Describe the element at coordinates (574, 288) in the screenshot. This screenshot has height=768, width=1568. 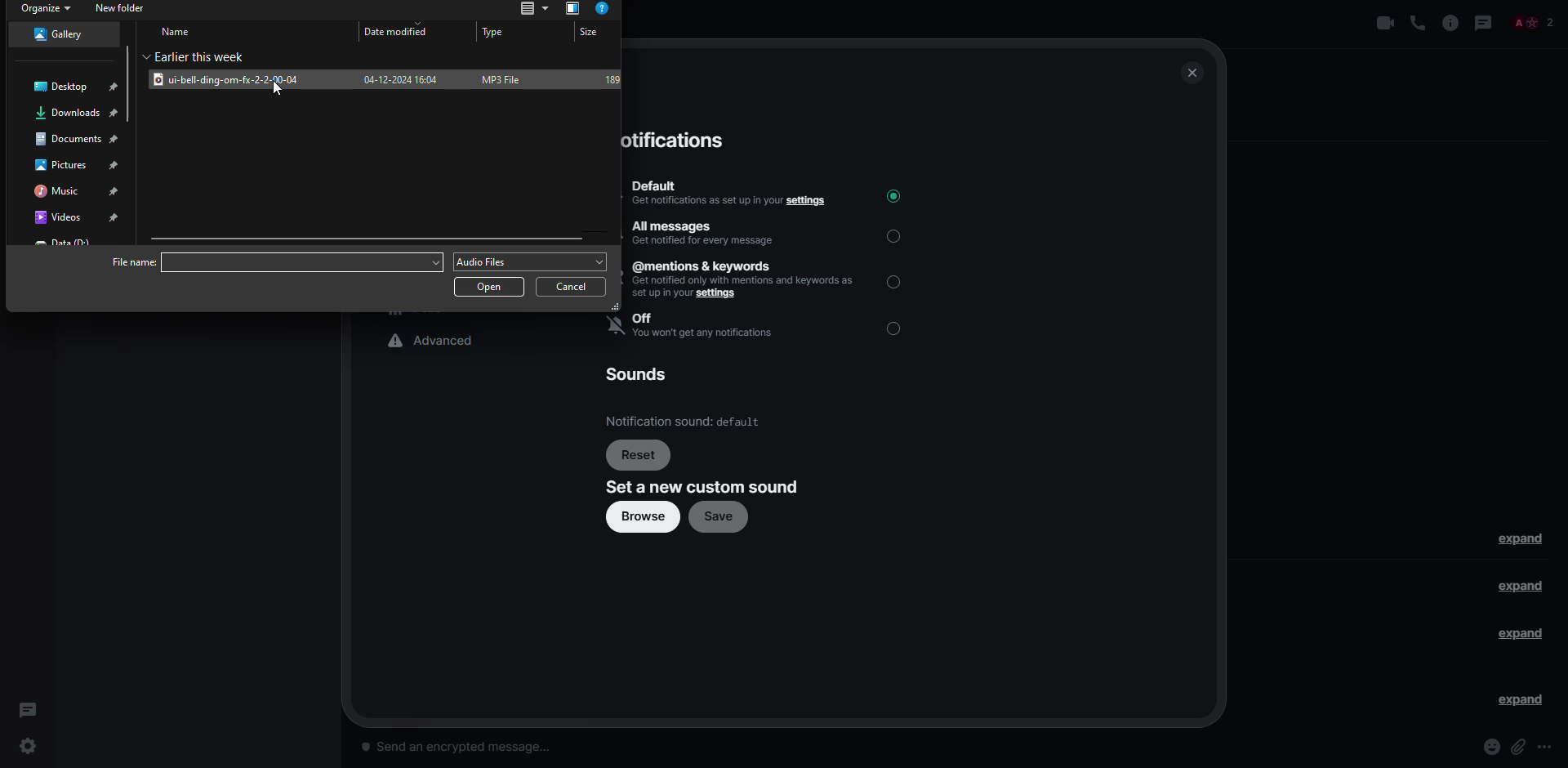
I see `cancel` at that location.